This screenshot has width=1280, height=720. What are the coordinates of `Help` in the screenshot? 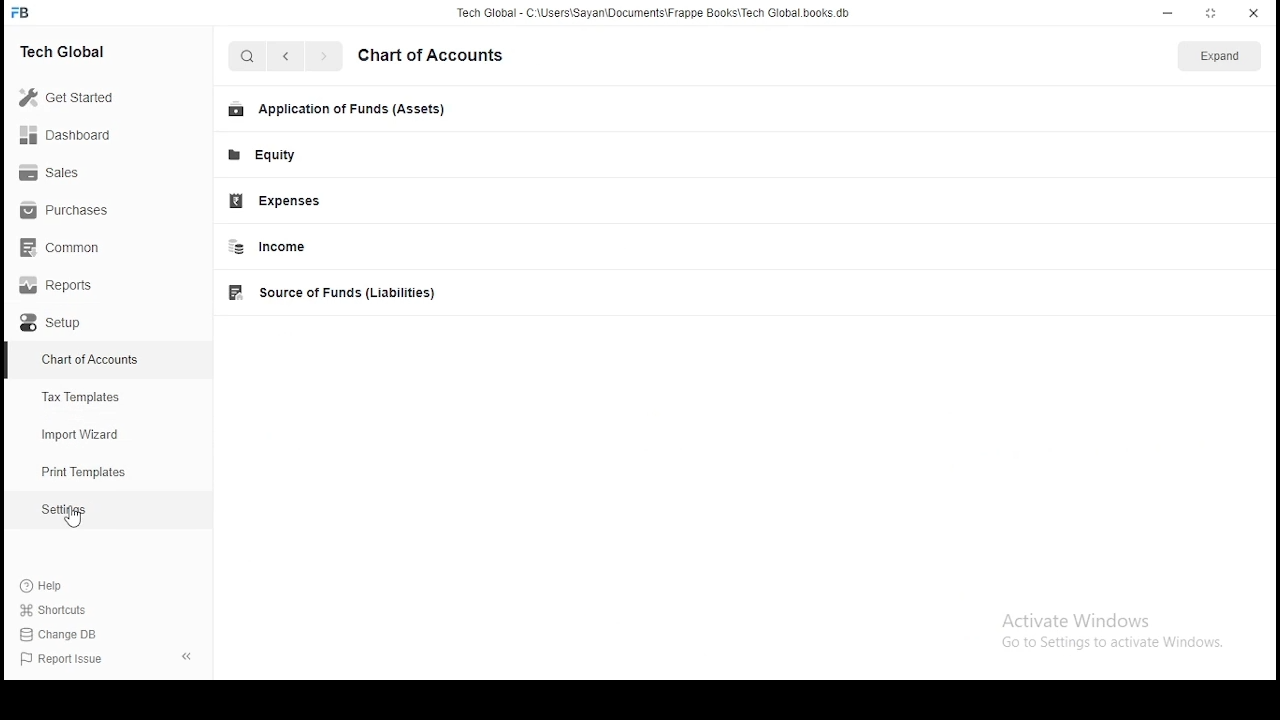 It's located at (56, 588).